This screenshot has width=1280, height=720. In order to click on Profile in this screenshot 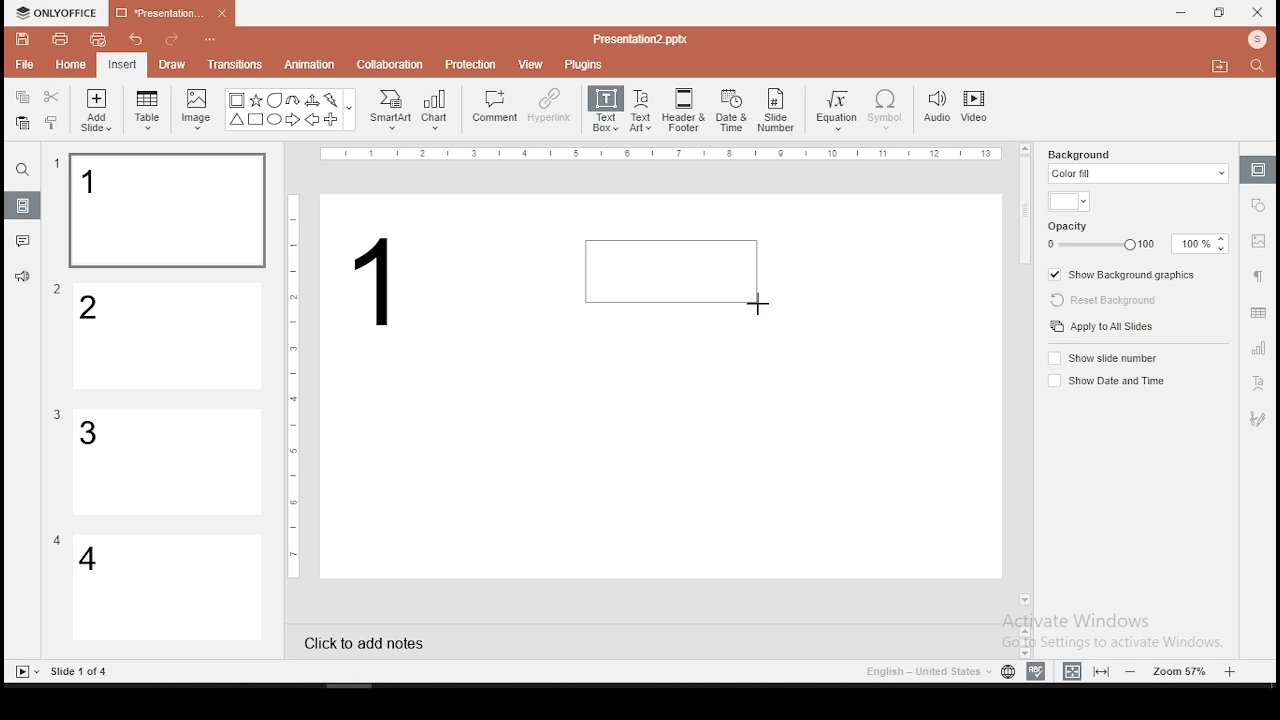, I will do `click(1259, 40)`.